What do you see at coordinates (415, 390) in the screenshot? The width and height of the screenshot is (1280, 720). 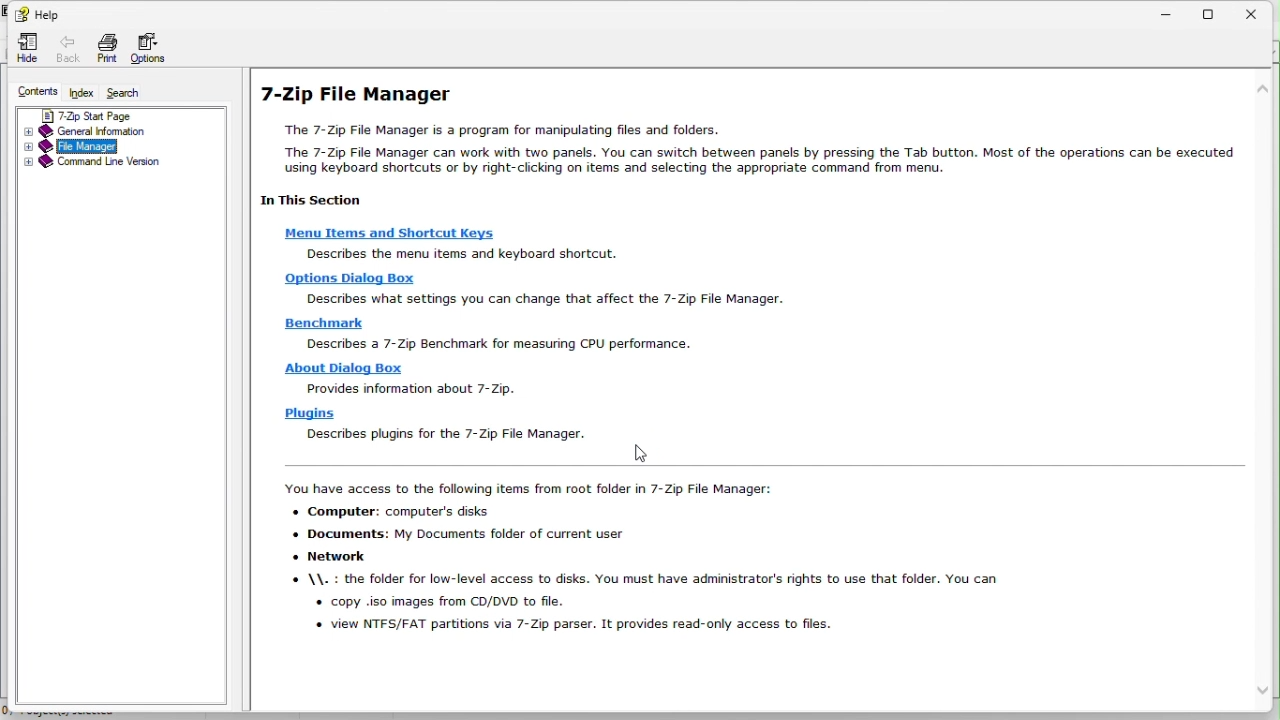 I see `provides information about 7zip` at bounding box center [415, 390].